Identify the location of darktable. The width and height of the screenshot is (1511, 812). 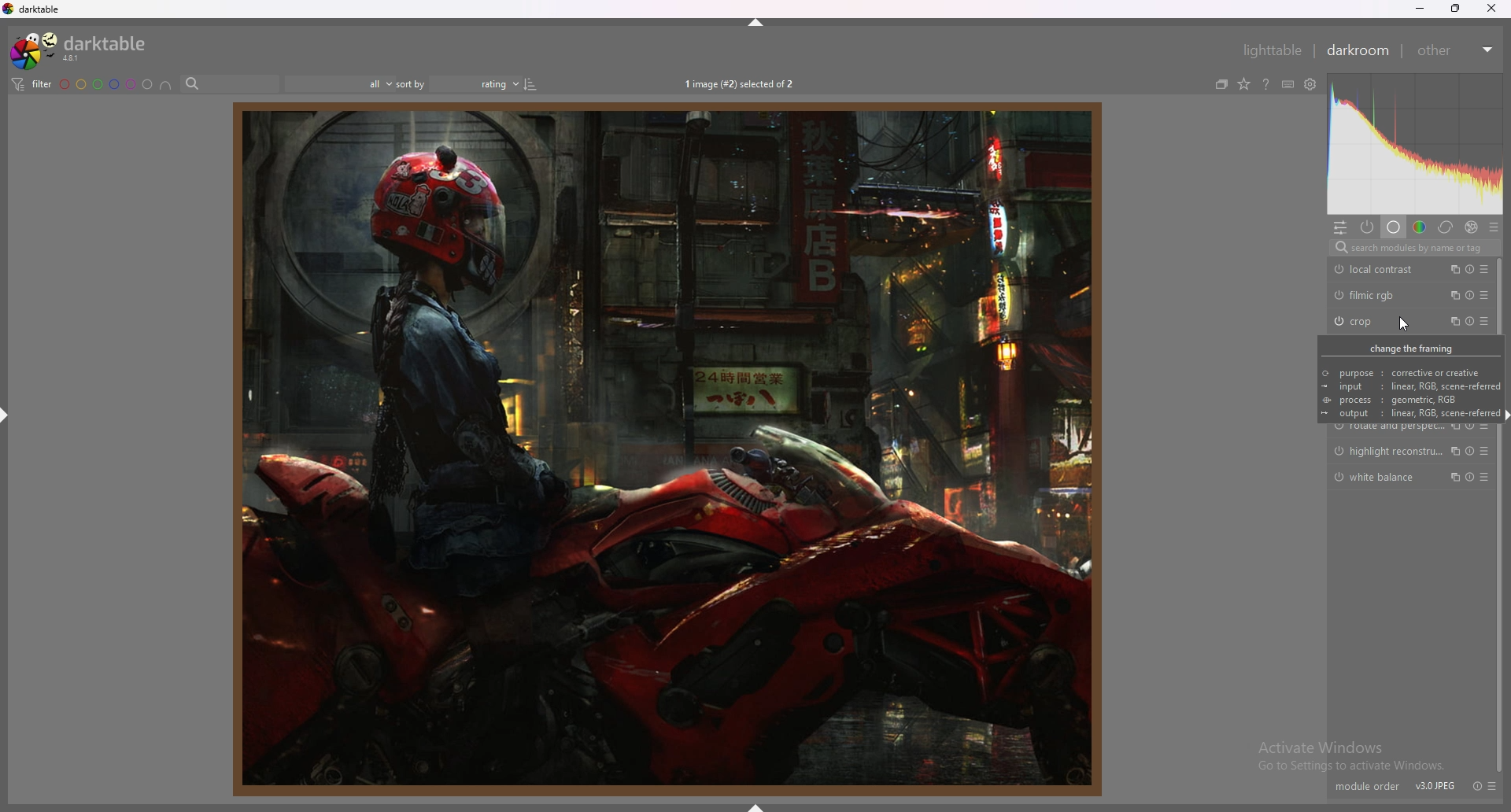
(82, 49).